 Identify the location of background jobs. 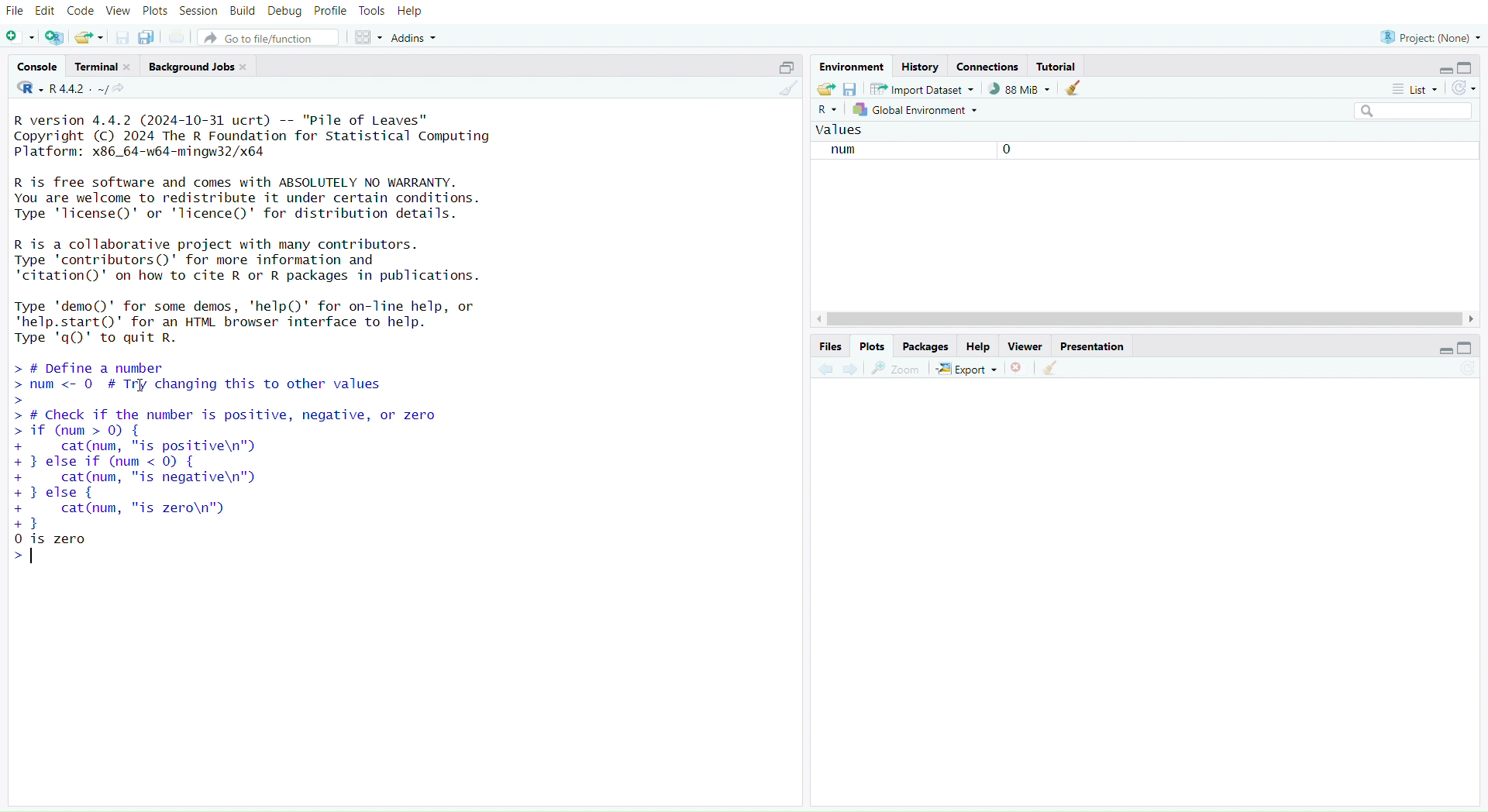
(201, 67).